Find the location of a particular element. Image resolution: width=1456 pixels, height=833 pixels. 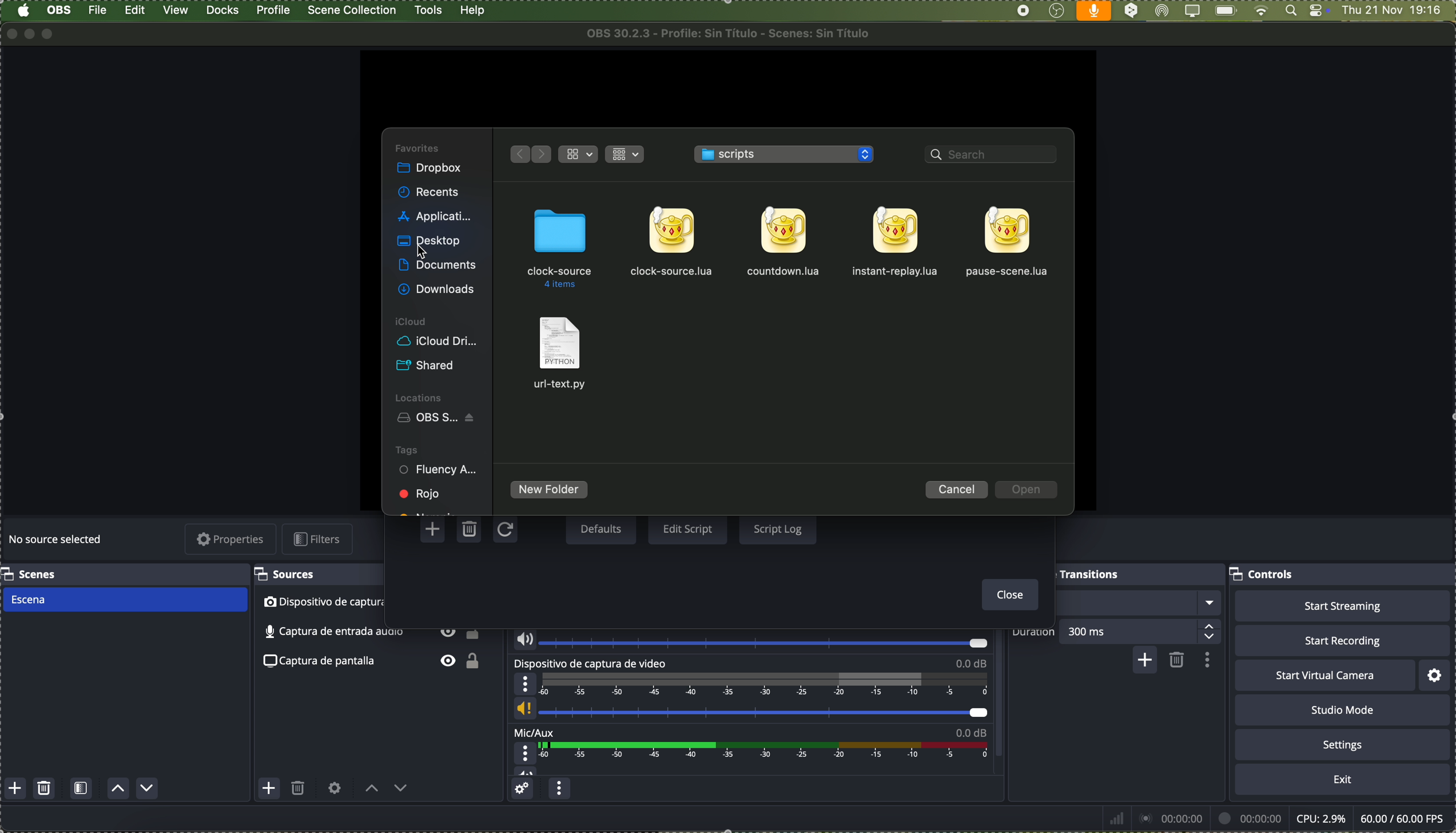

locations is located at coordinates (421, 396).